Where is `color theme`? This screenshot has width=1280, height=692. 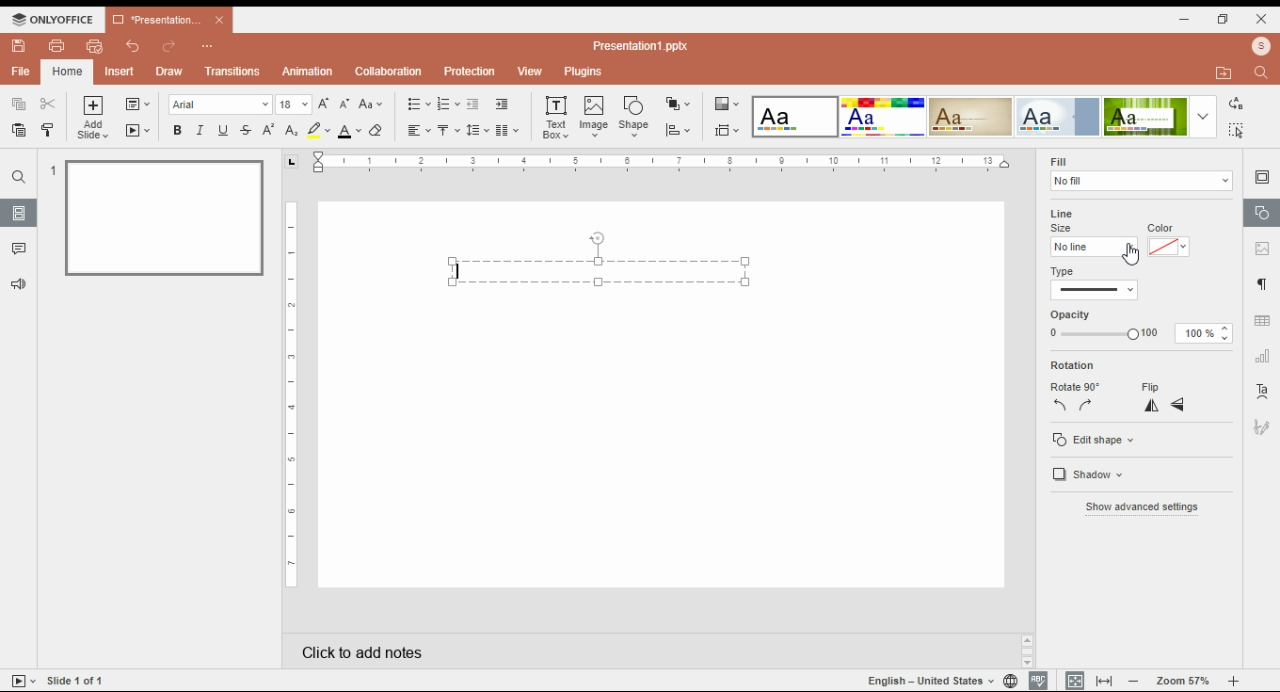
color theme is located at coordinates (883, 117).